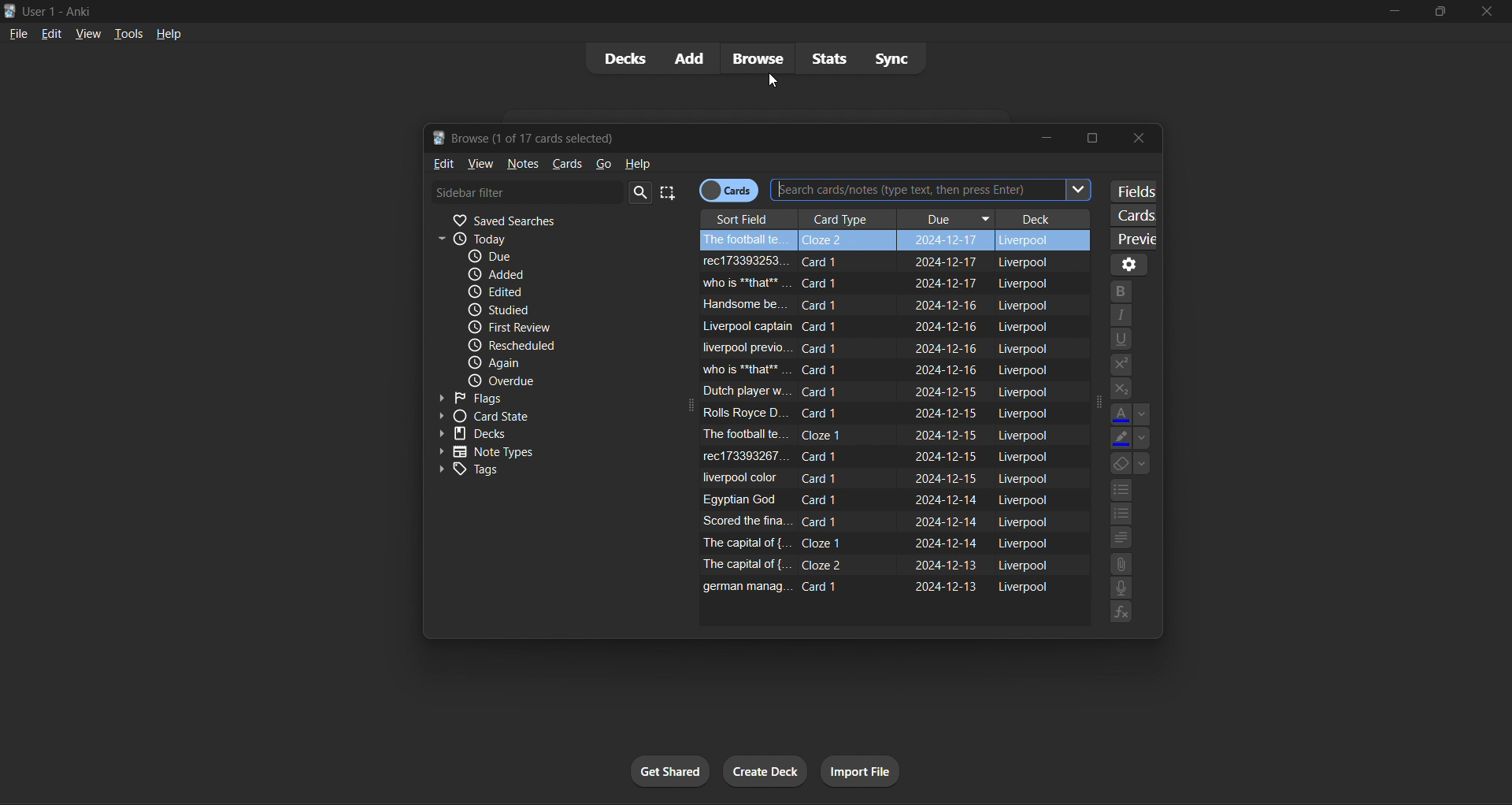 This screenshot has height=805, width=1512. Describe the element at coordinates (827, 413) in the screenshot. I see `card 1` at that location.